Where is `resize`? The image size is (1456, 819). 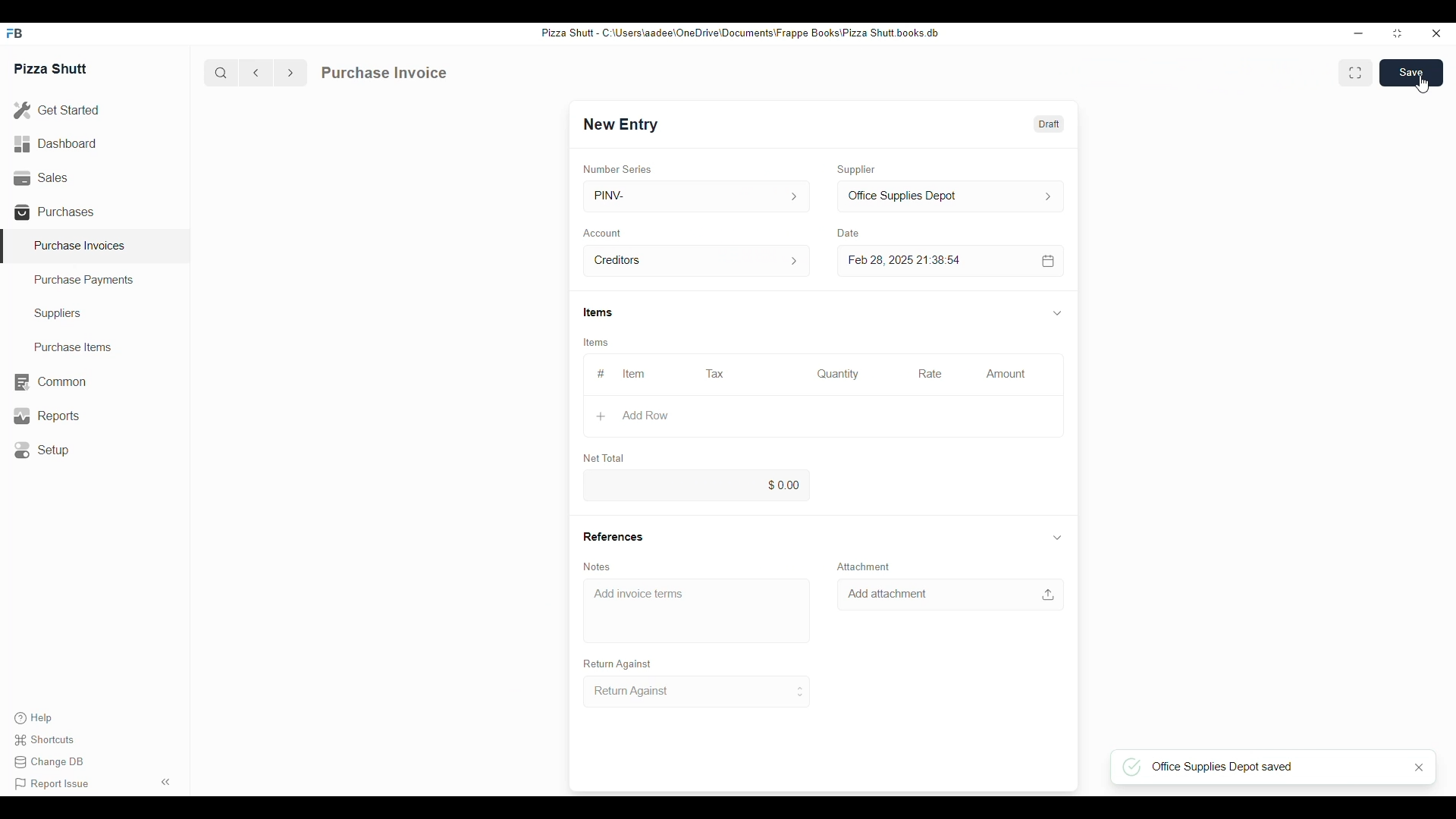
resize is located at coordinates (1395, 34).